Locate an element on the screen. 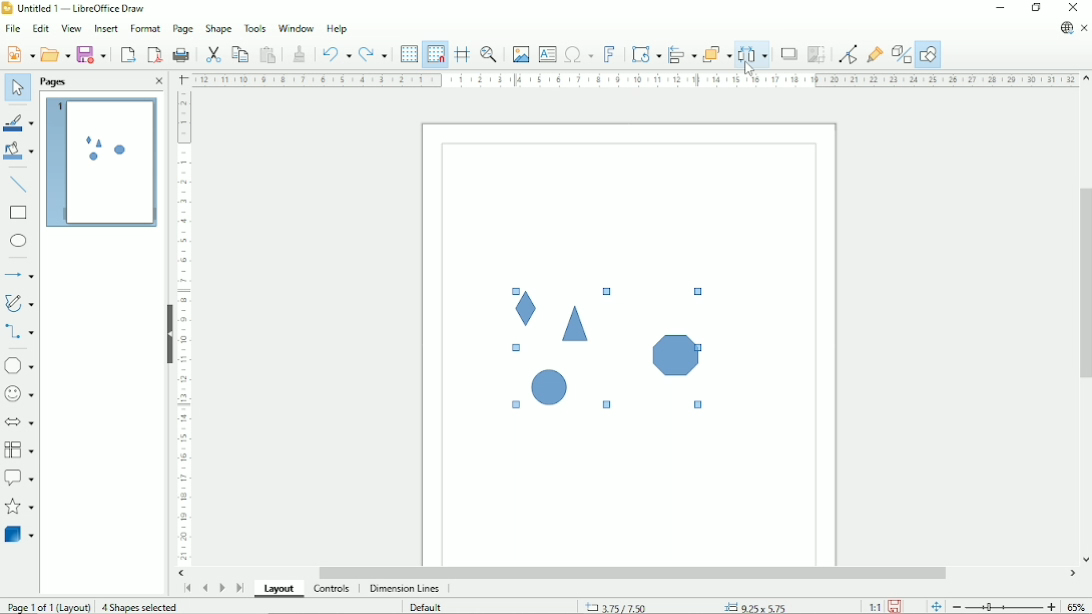 This screenshot has height=614, width=1092. Horizontal scale is located at coordinates (634, 79).